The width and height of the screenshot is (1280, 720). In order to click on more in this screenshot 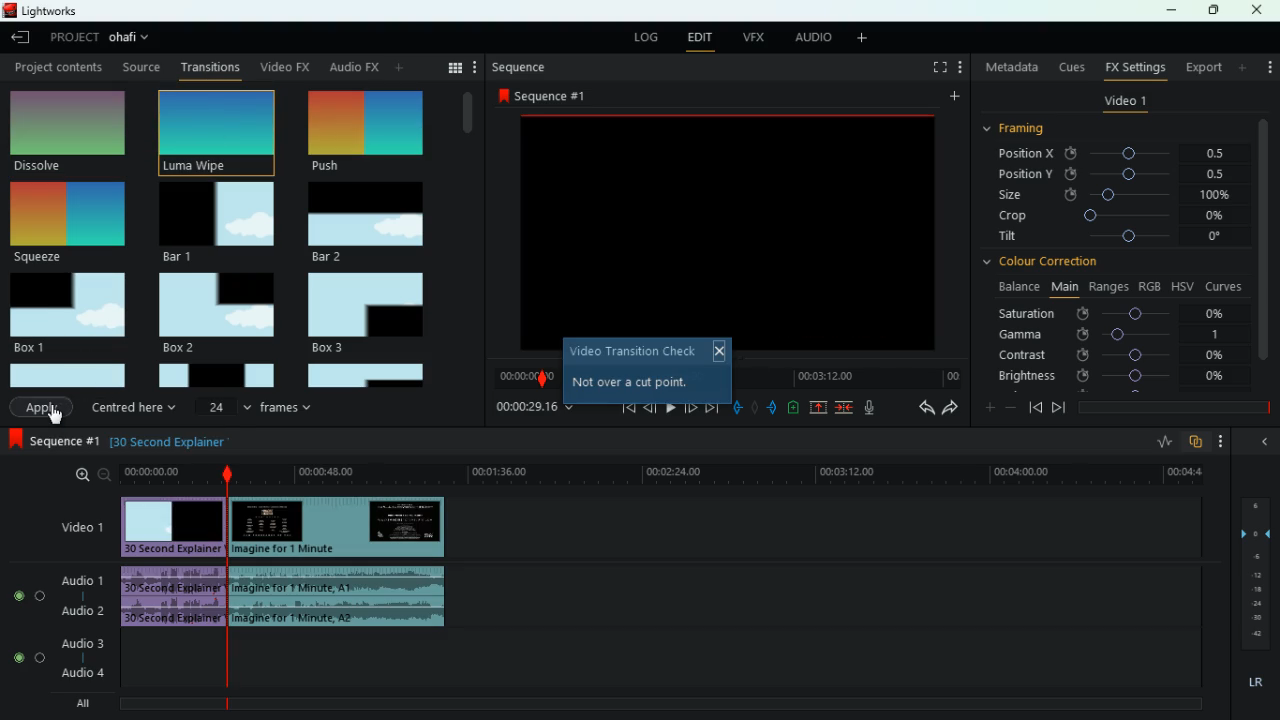, I will do `click(1267, 62)`.